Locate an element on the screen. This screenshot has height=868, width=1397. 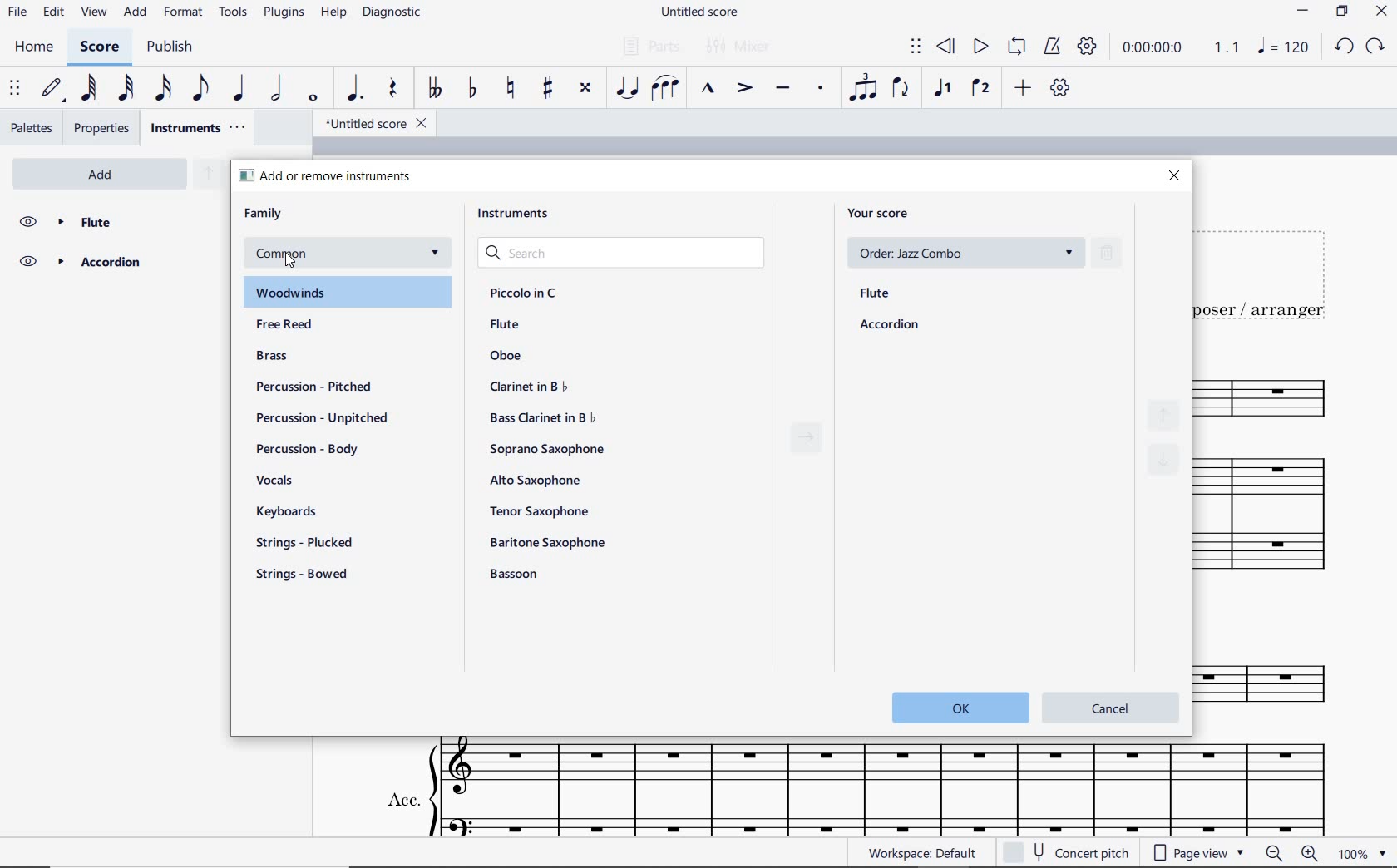
diagnostic is located at coordinates (392, 13).